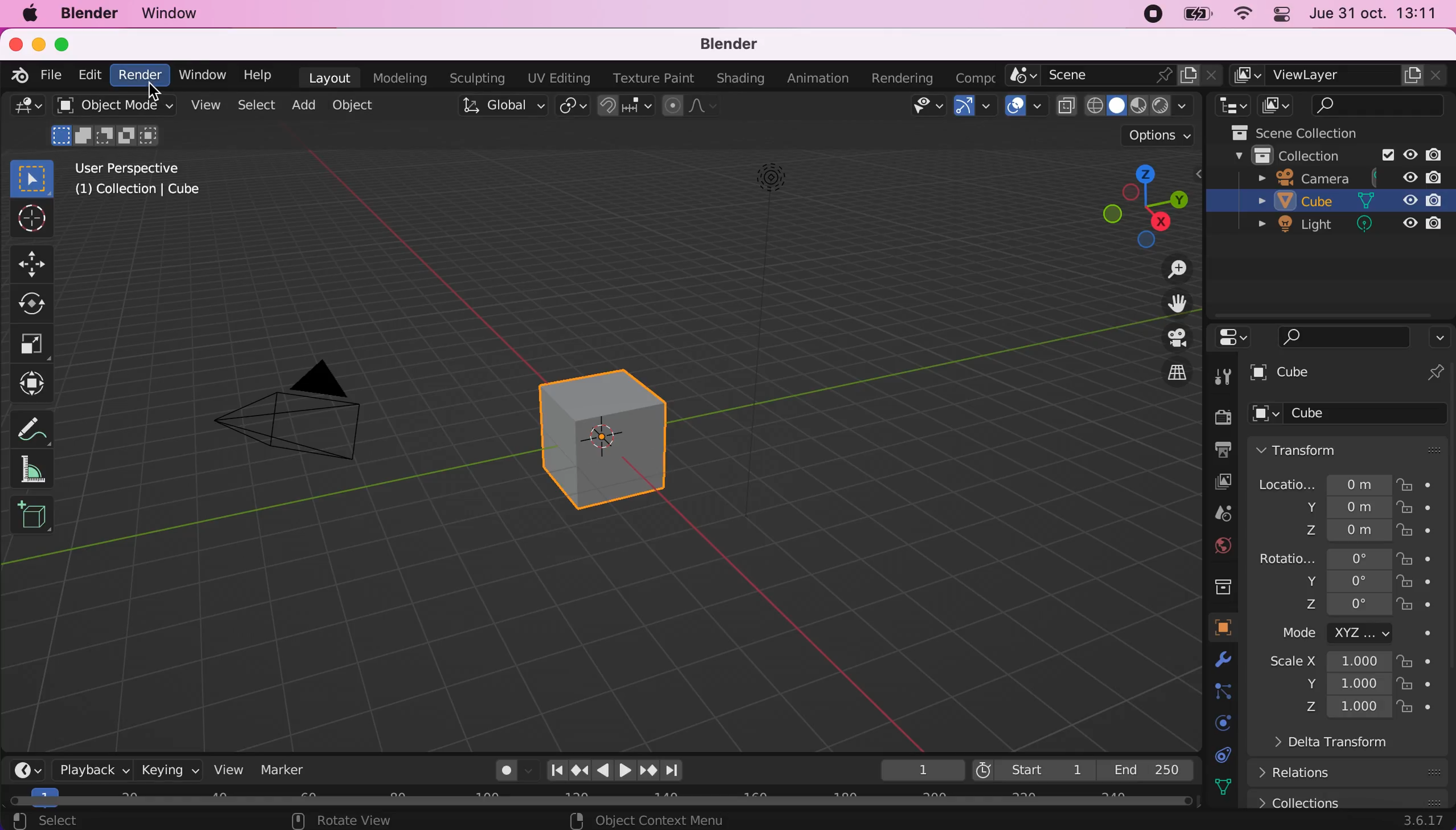 Image resolution: width=1456 pixels, height=830 pixels. Describe the element at coordinates (1325, 507) in the screenshot. I see `location y` at that location.